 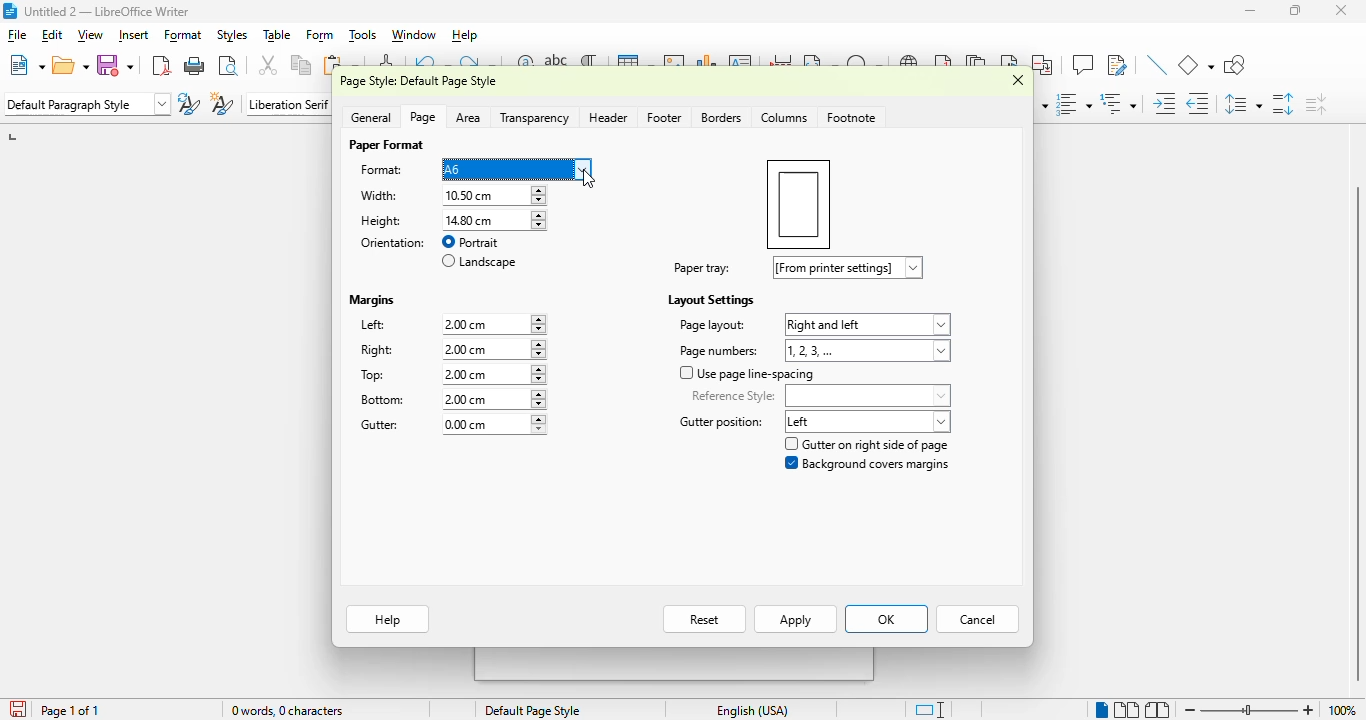 What do you see at coordinates (184, 34) in the screenshot?
I see `format` at bounding box center [184, 34].